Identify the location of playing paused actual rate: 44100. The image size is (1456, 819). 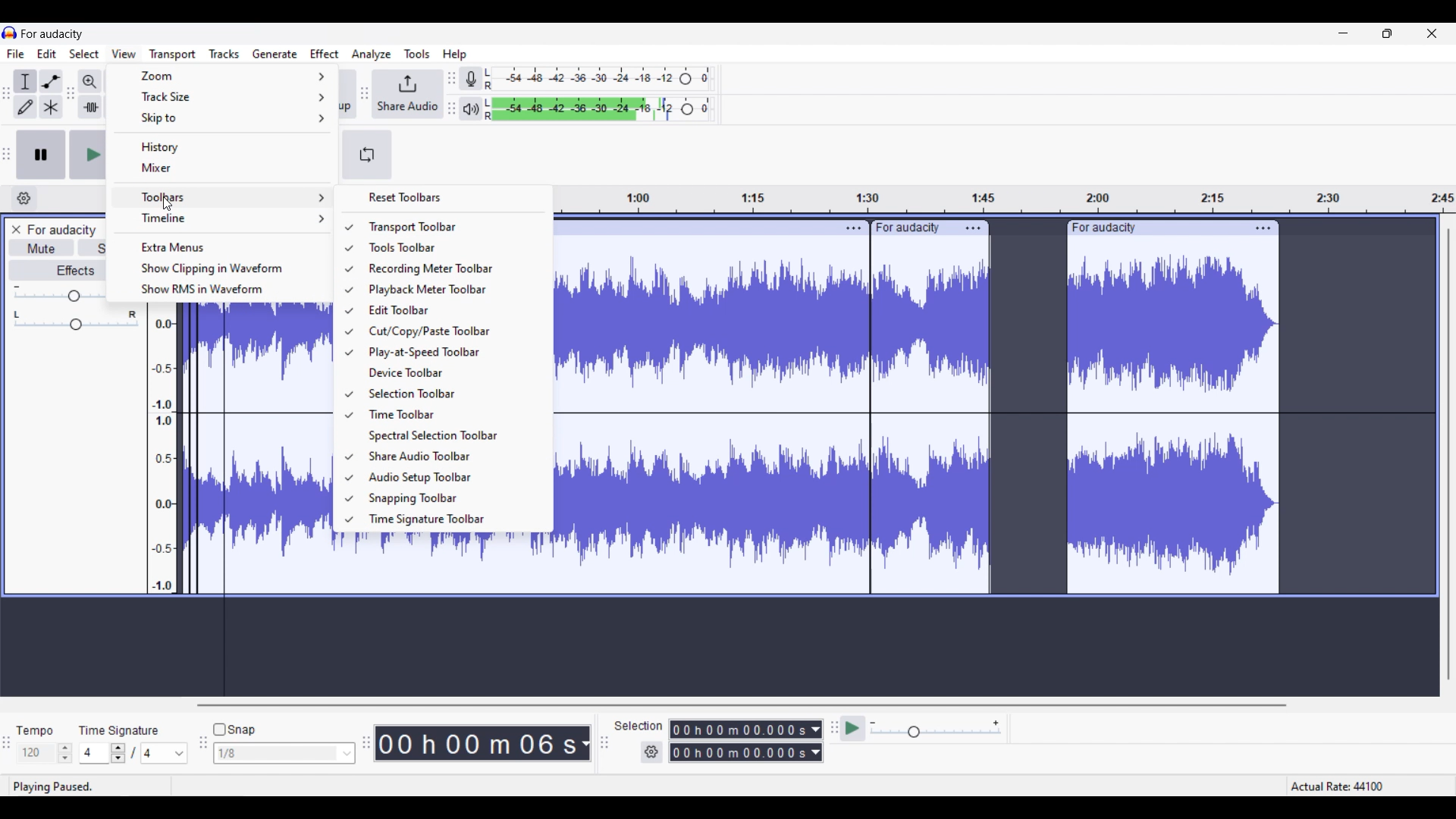
(721, 786).